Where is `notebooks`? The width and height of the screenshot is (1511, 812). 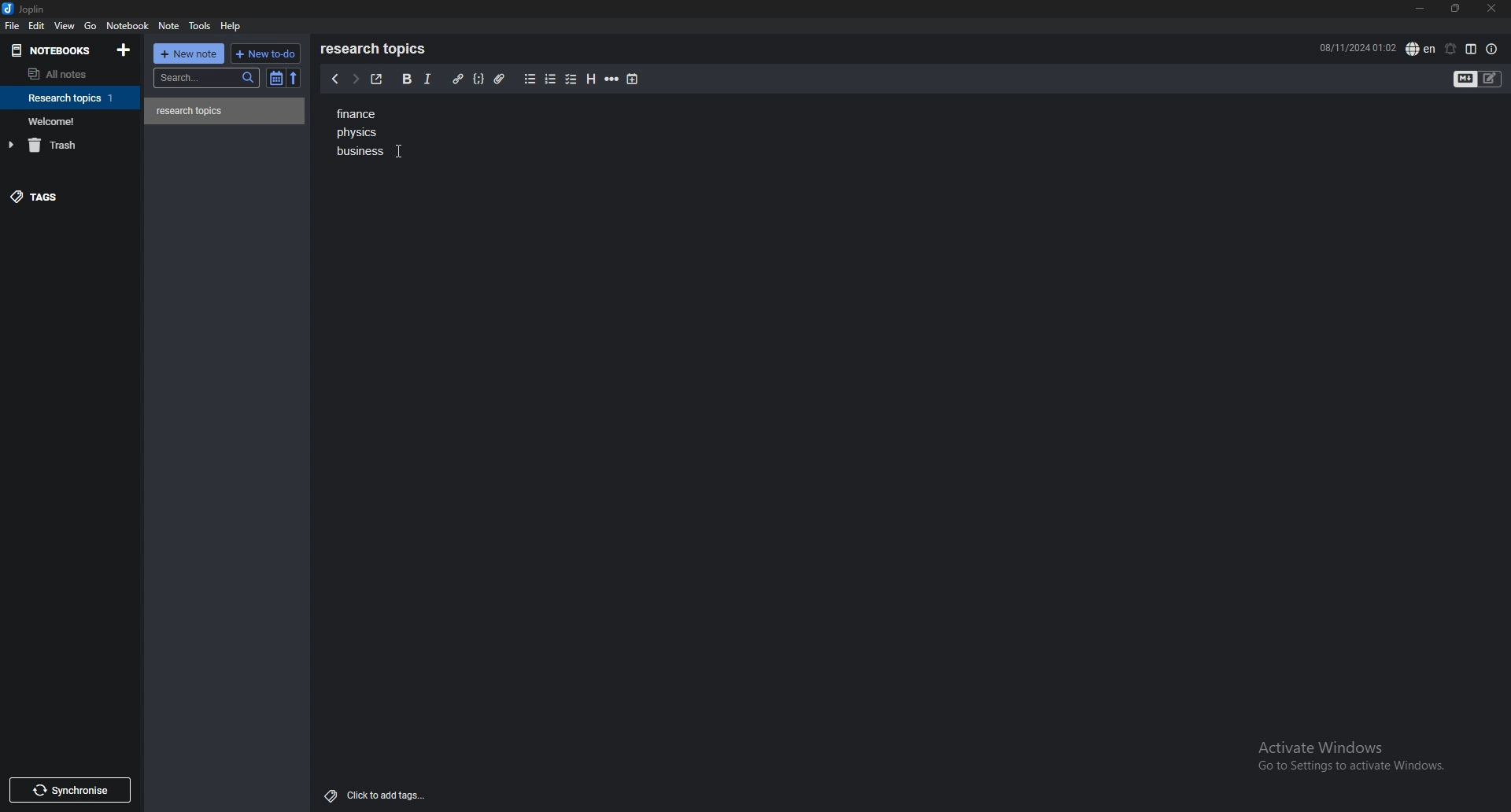
notebooks is located at coordinates (54, 50).